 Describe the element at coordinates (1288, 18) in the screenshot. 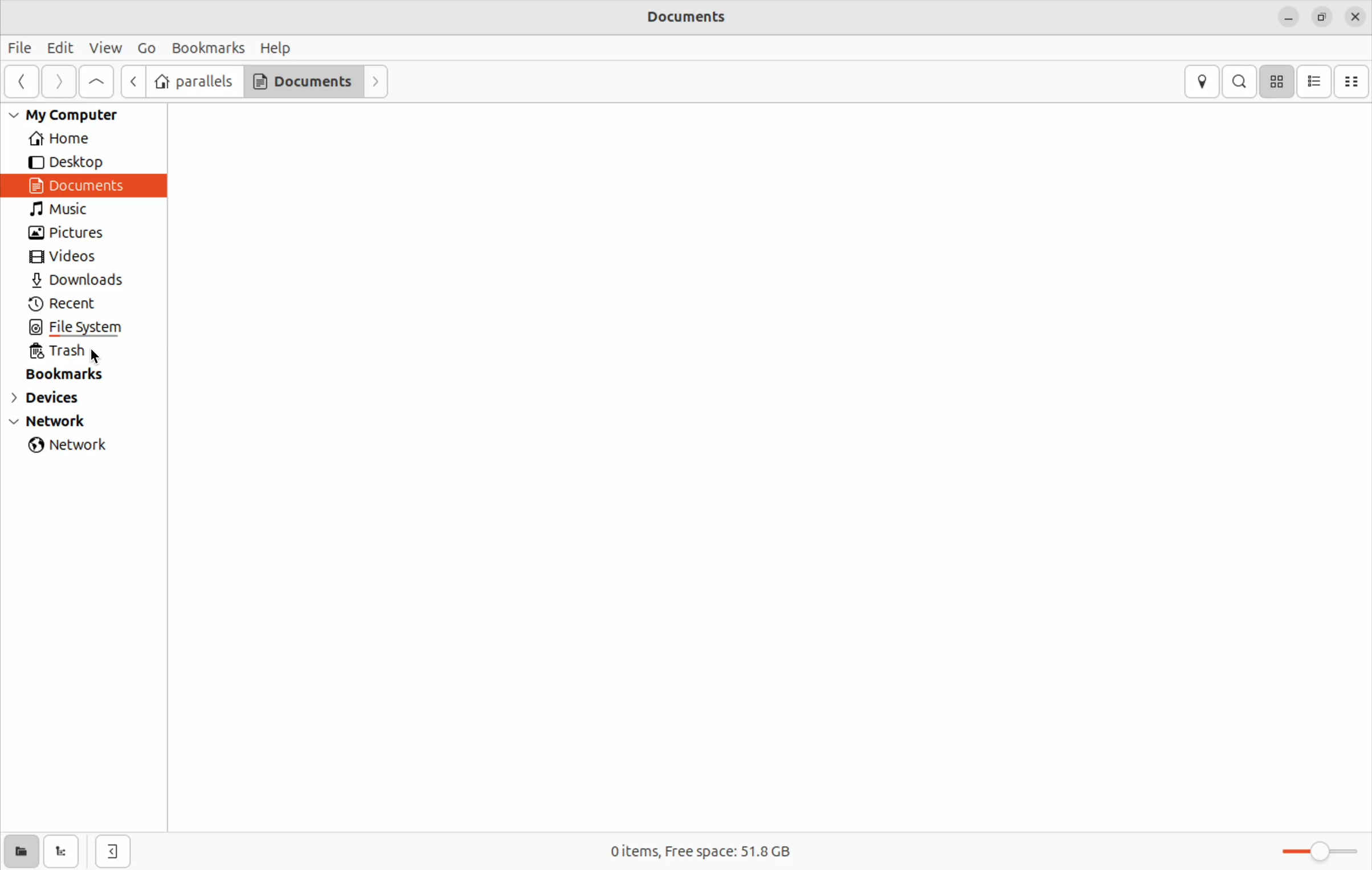

I see `minimize` at that location.